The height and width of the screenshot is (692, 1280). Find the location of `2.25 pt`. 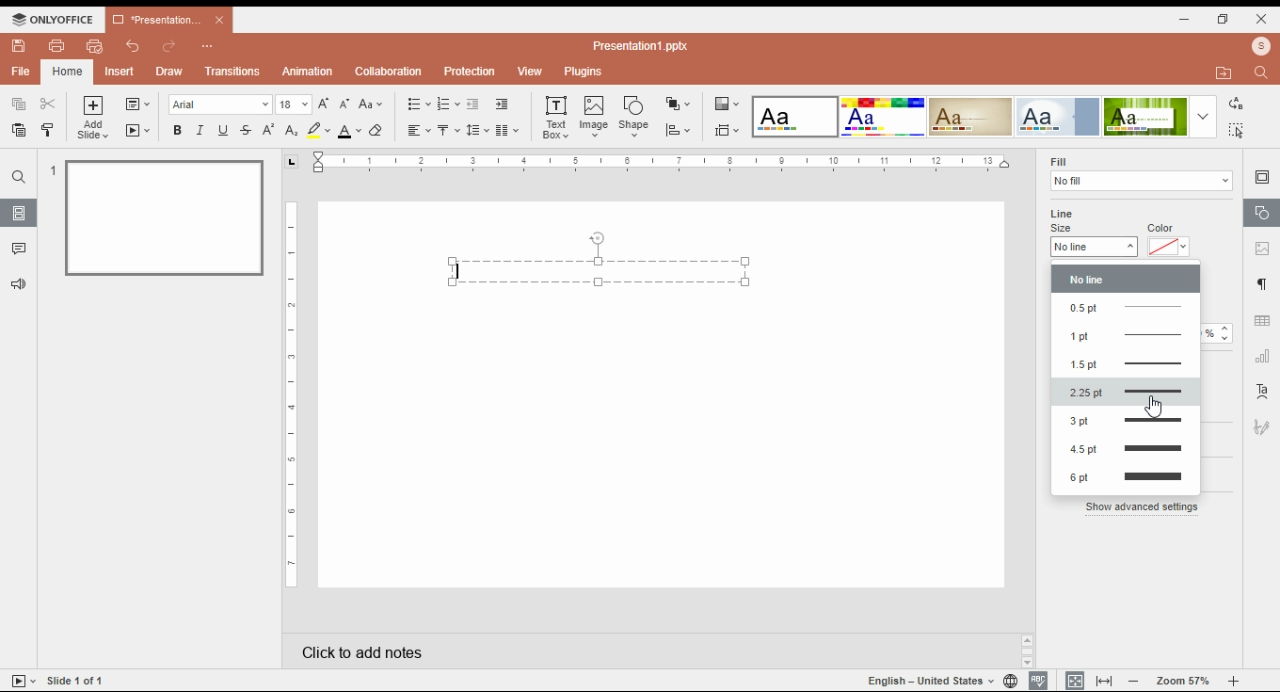

2.25 pt is located at coordinates (1126, 393).